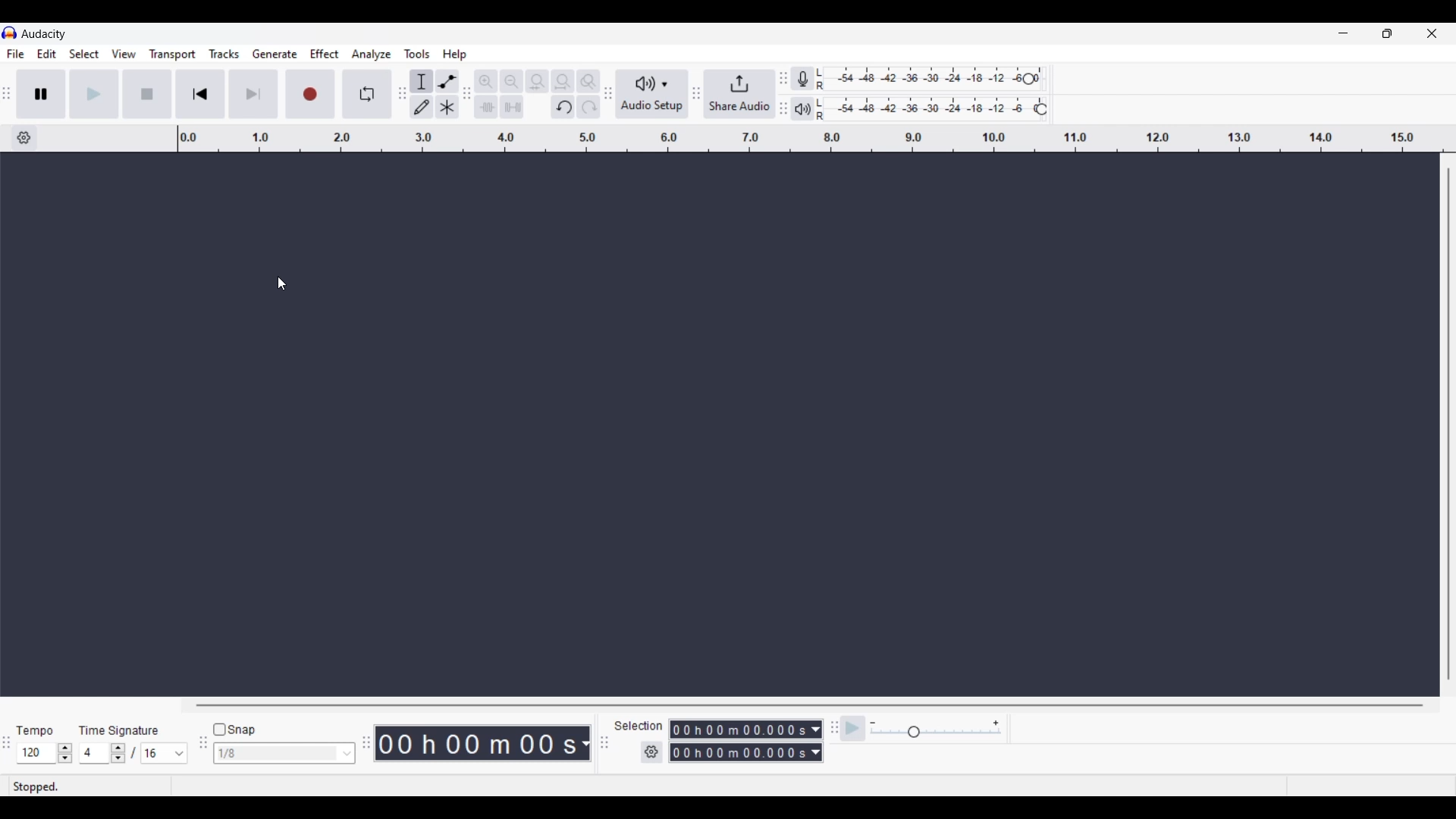 This screenshot has height=819, width=1456. What do you see at coordinates (15, 54) in the screenshot?
I see `File menu` at bounding box center [15, 54].